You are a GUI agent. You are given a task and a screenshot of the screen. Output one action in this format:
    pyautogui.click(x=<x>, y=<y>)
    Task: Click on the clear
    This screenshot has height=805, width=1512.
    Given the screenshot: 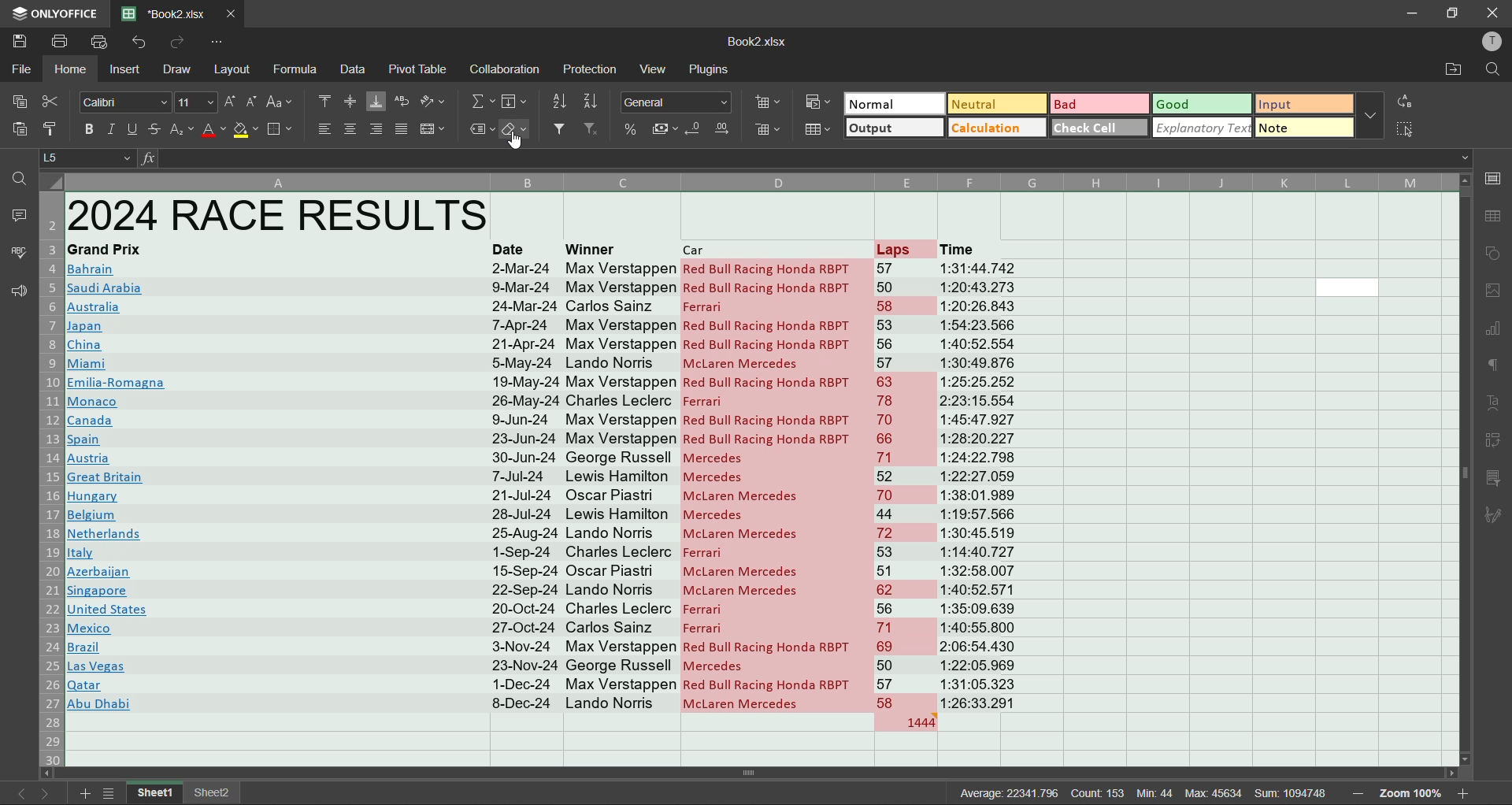 What is the action you would take?
    pyautogui.click(x=517, y=131)
    